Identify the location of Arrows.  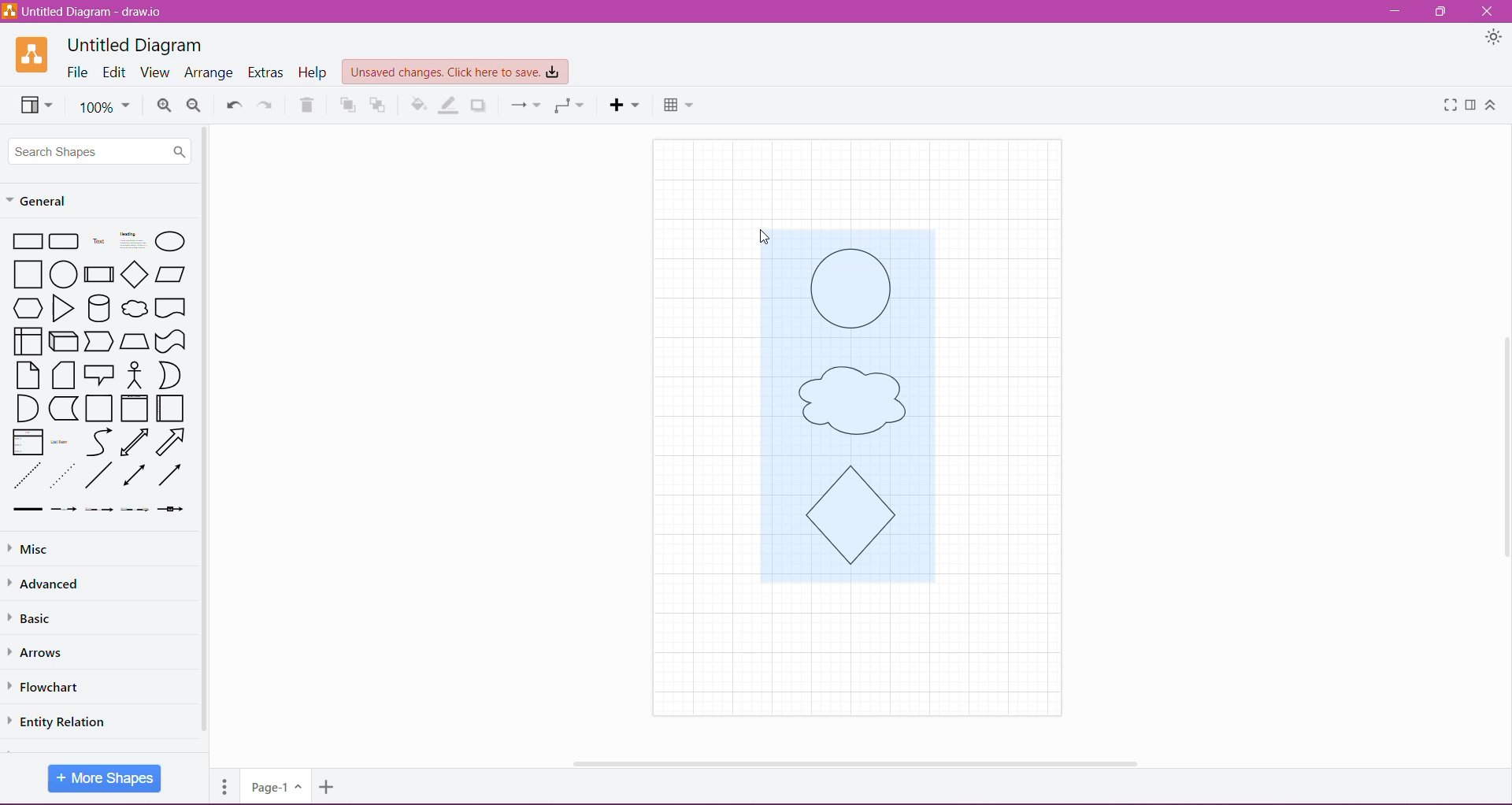
(41, 651).